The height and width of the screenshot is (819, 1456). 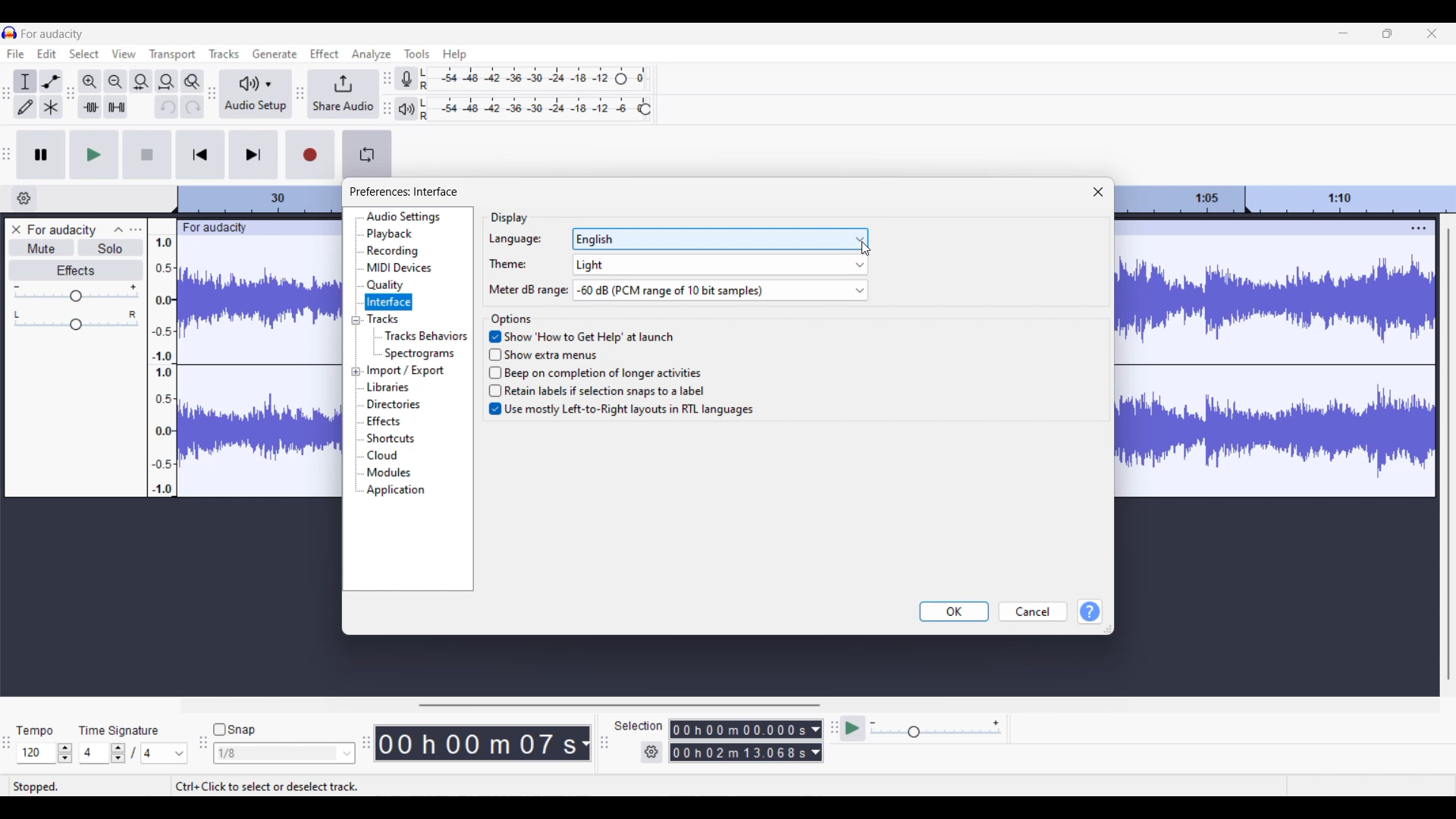 I want to click on Fit project to width, so click(x=167, y=82).